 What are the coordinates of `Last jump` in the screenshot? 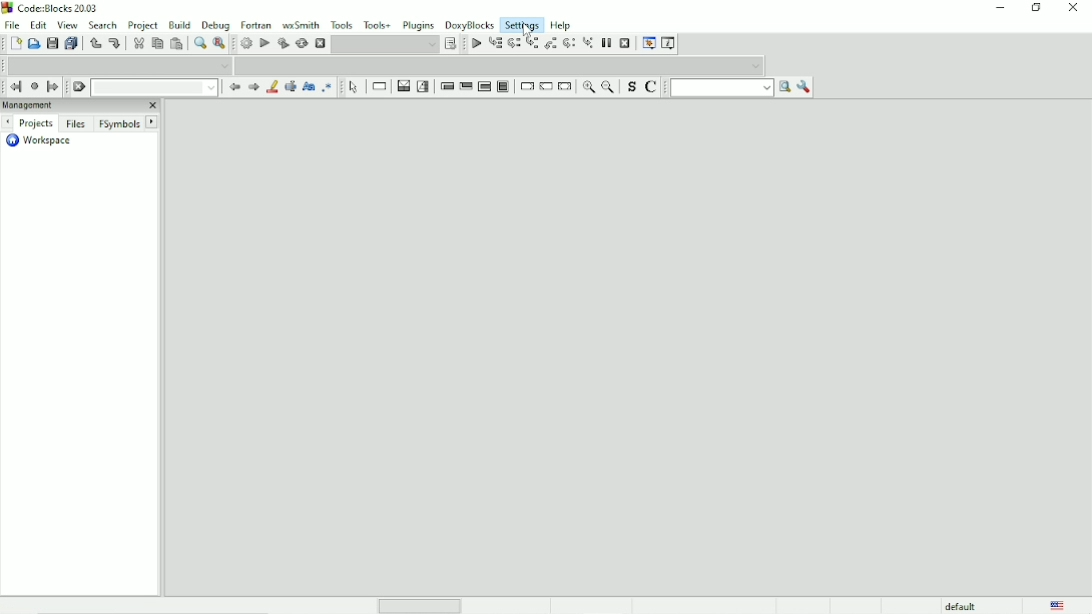 It's located at (33, 86).